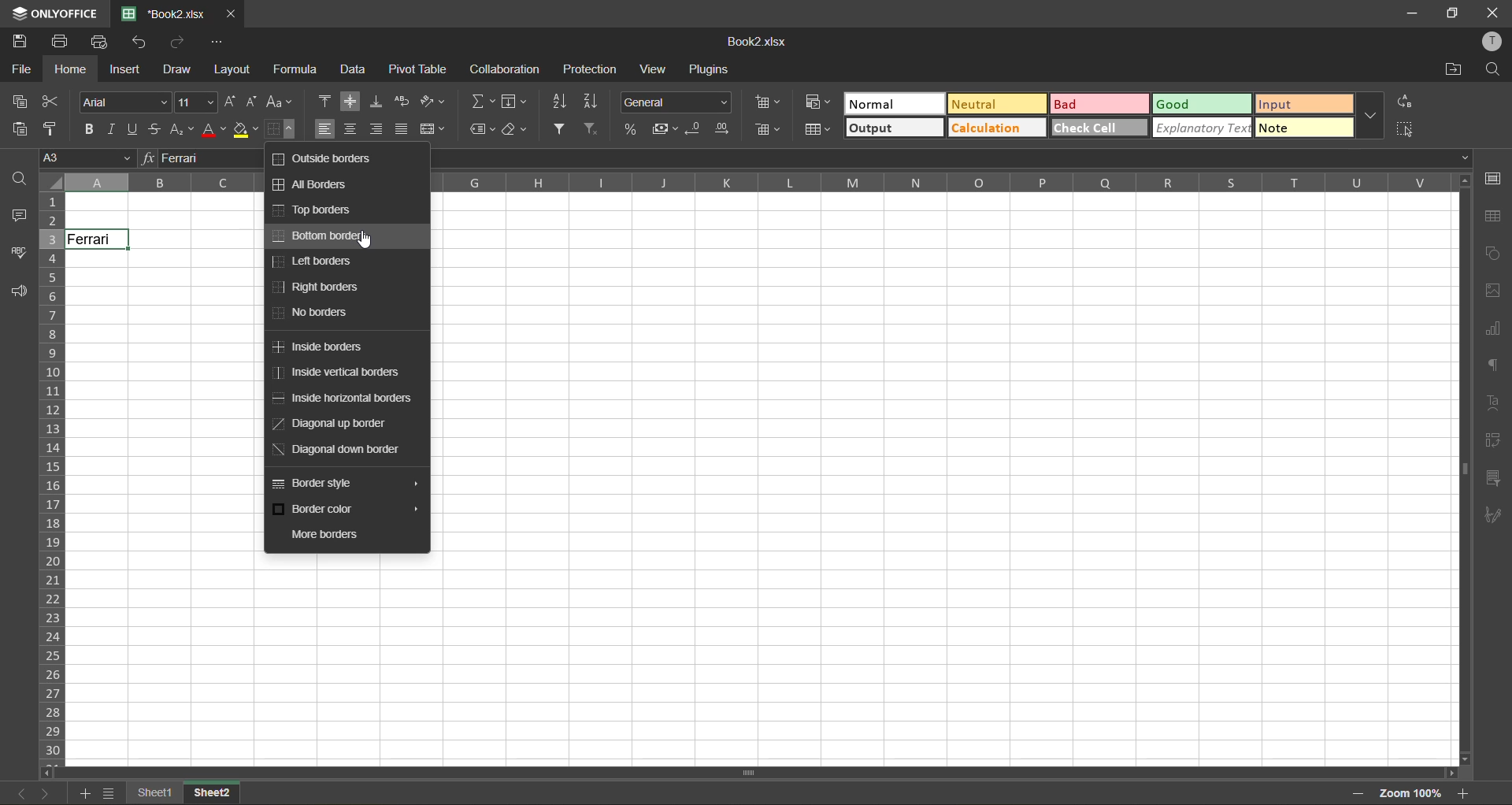 This screenshot has height=805, width=1512. I want to click on named ranges, so click(483, 129).